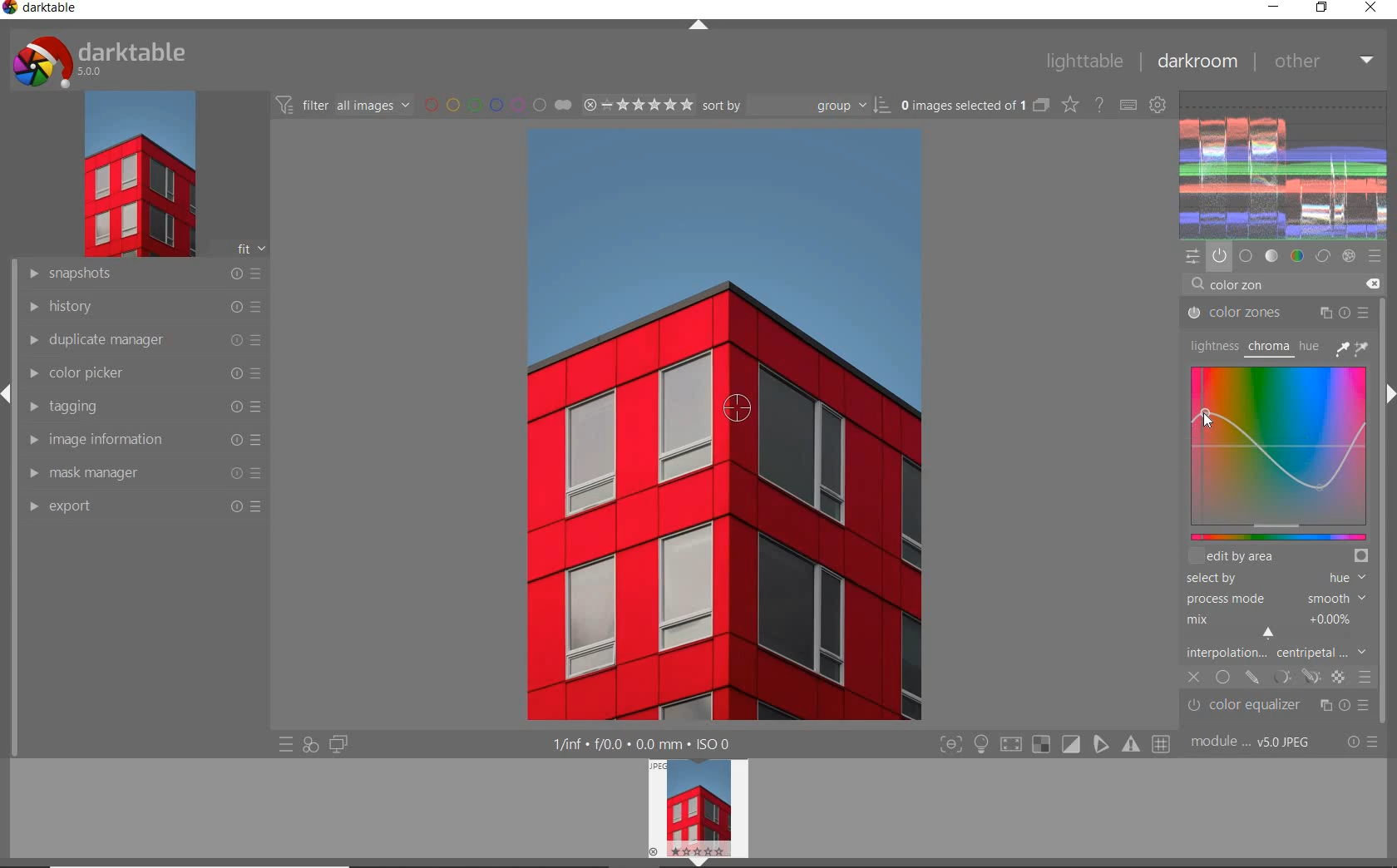 Image resolution: width=1397 pixels, height=868 pixels. What do you see at coordinates (710, 426) in the screenshot?
I see `selected image` at bounding box center [710, 426].